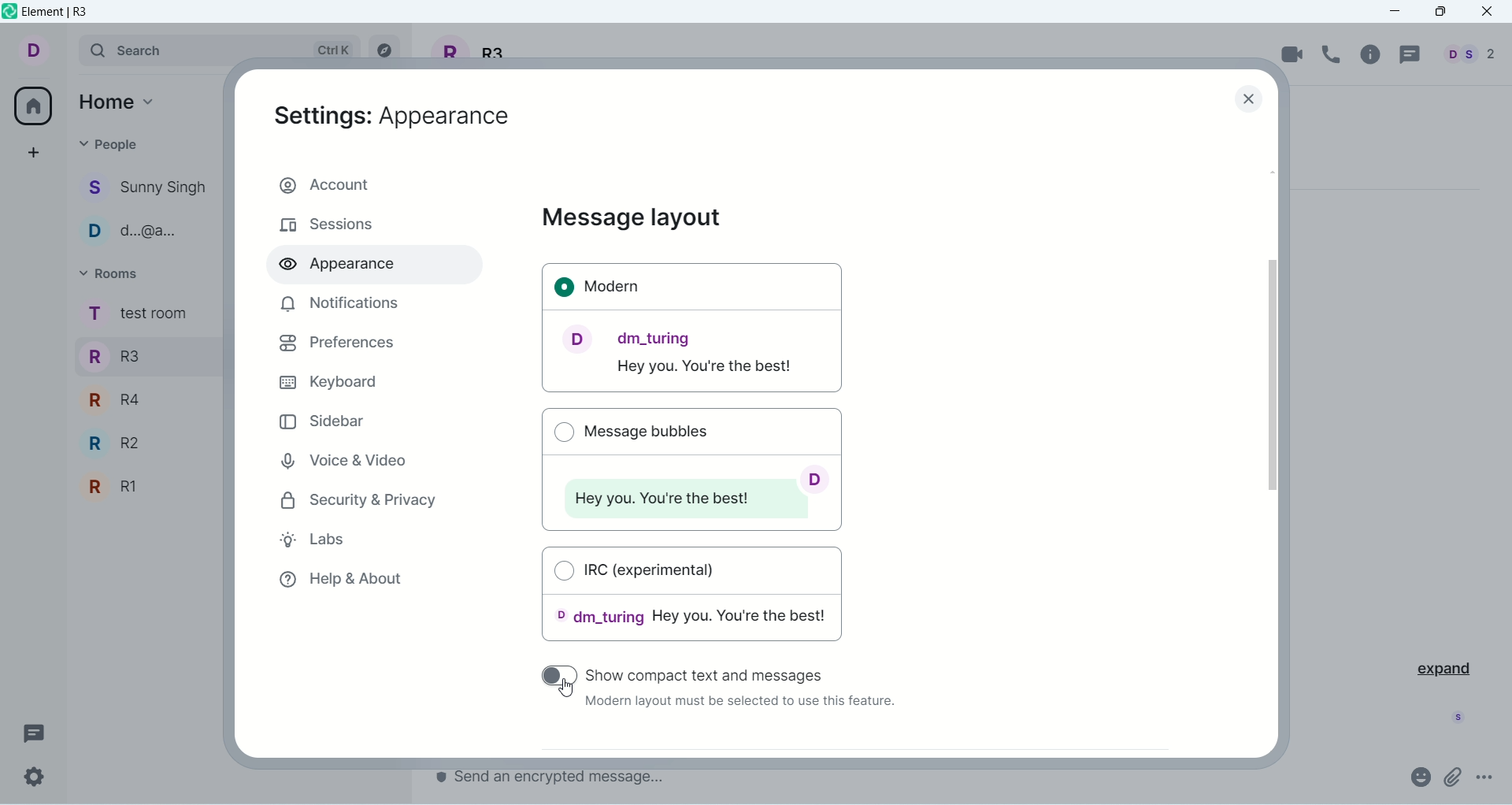 The width and height of the screenshot is (1512, 805). Describe the element at coordinates (1440, 13) in the screenshot. I see `maximize` at that location.